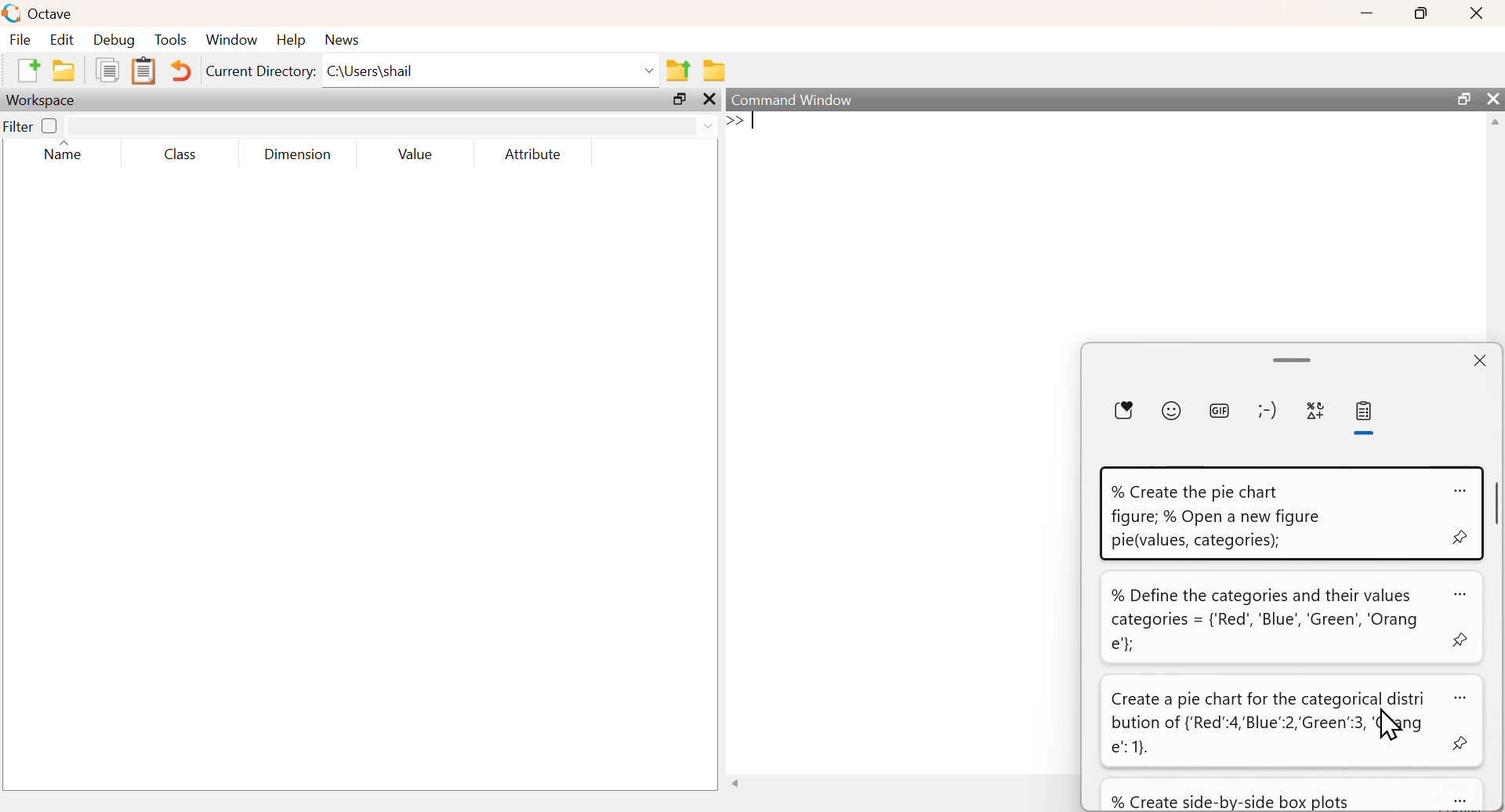 The height and width of the screenshot is (812, 1505). I want to click on more options, so click(1461, 698).